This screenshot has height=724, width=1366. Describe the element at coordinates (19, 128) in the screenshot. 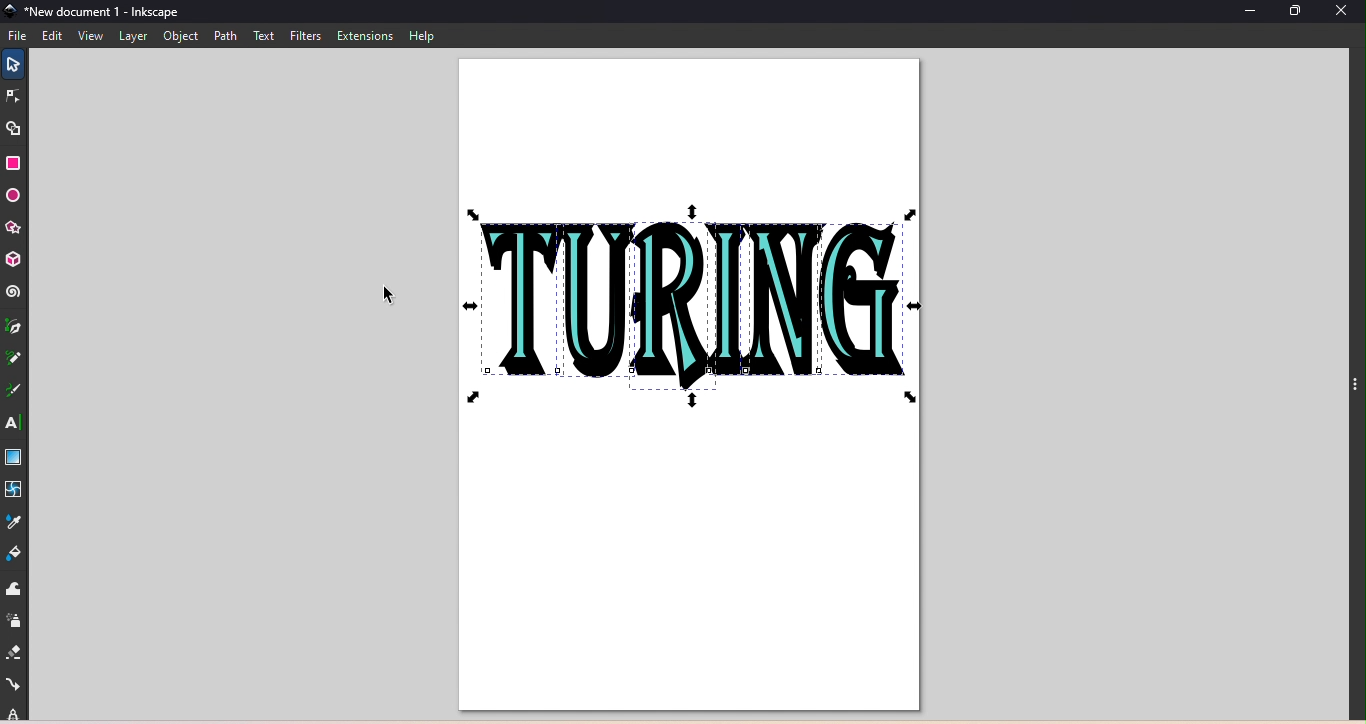

I see `Shape builder tool` at that location.